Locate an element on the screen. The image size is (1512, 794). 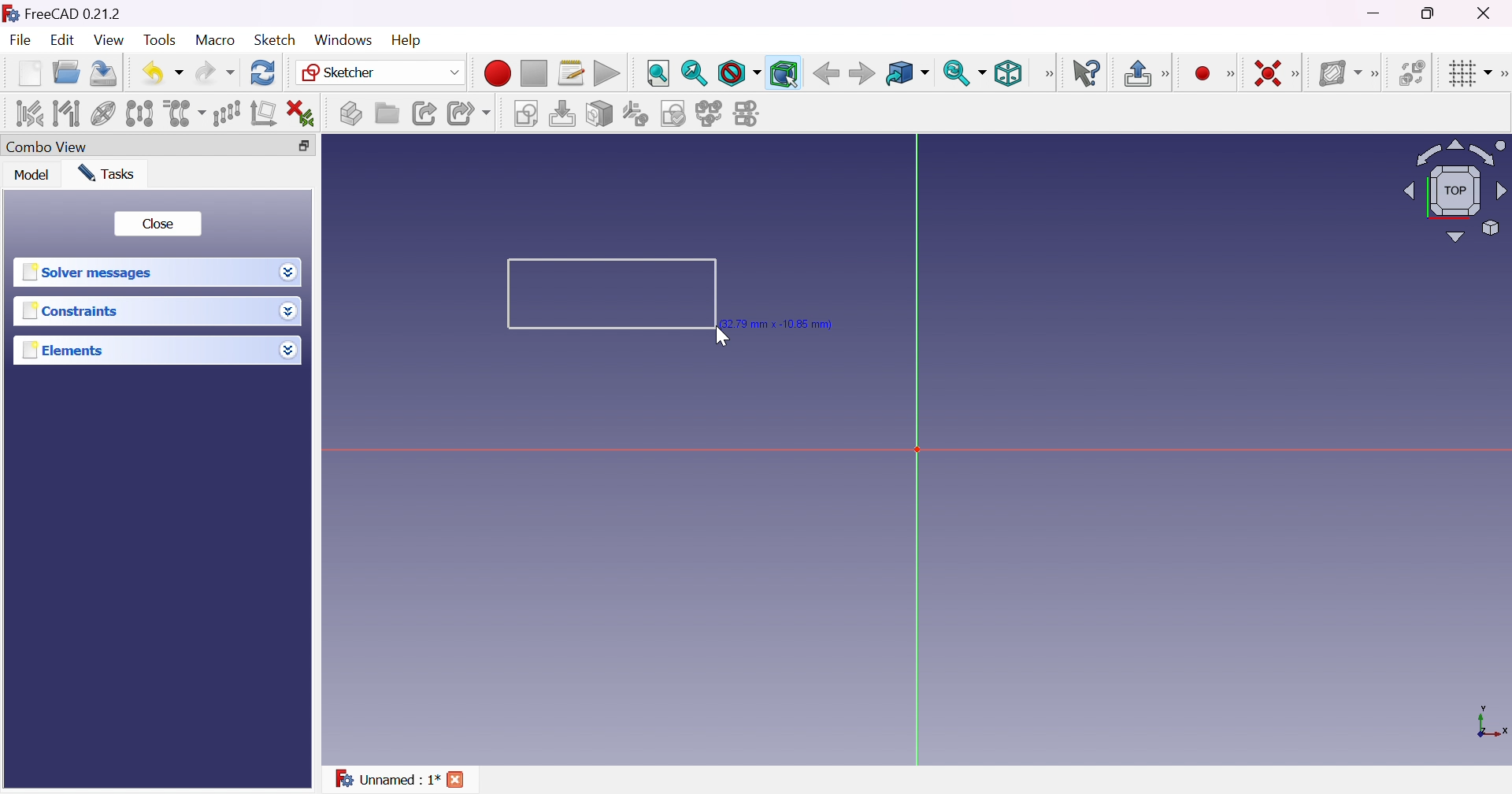
Map sketch to face is located at coordinates (598, 113).